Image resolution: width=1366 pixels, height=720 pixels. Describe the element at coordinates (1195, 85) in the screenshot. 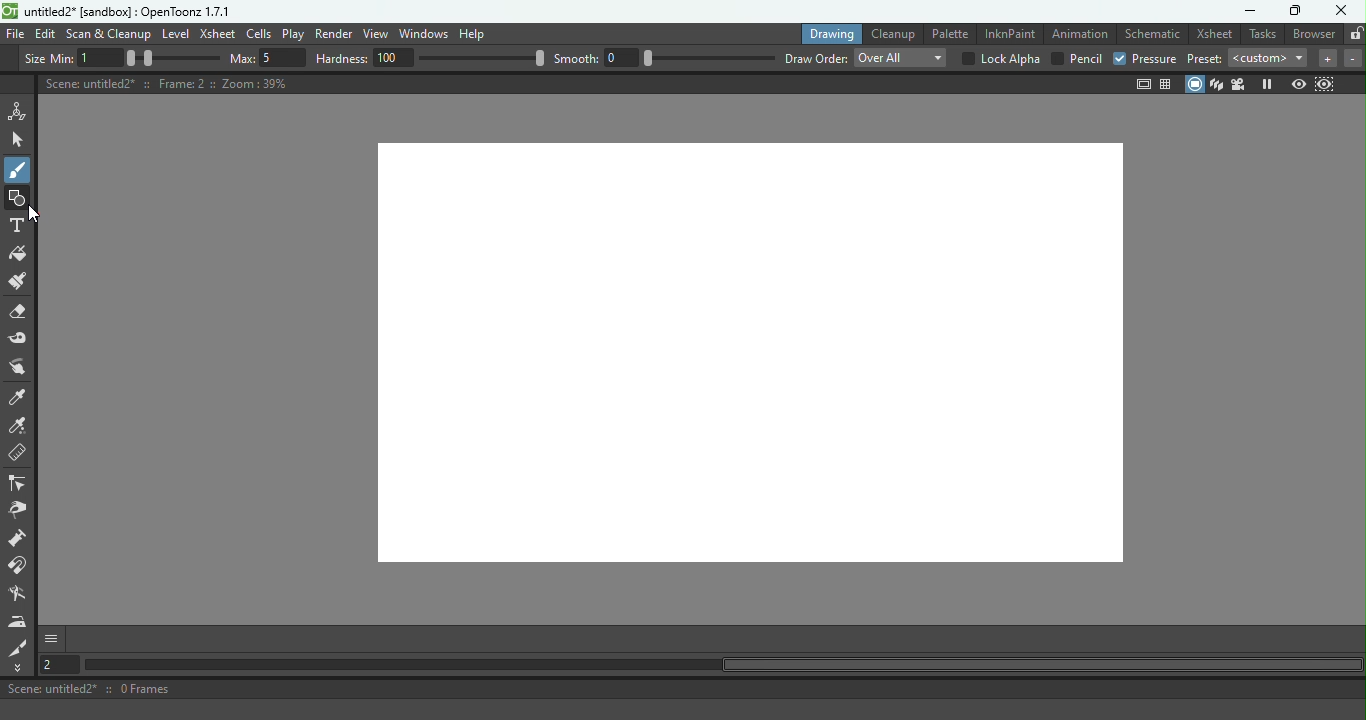

I see `Camera stand view` at that location.